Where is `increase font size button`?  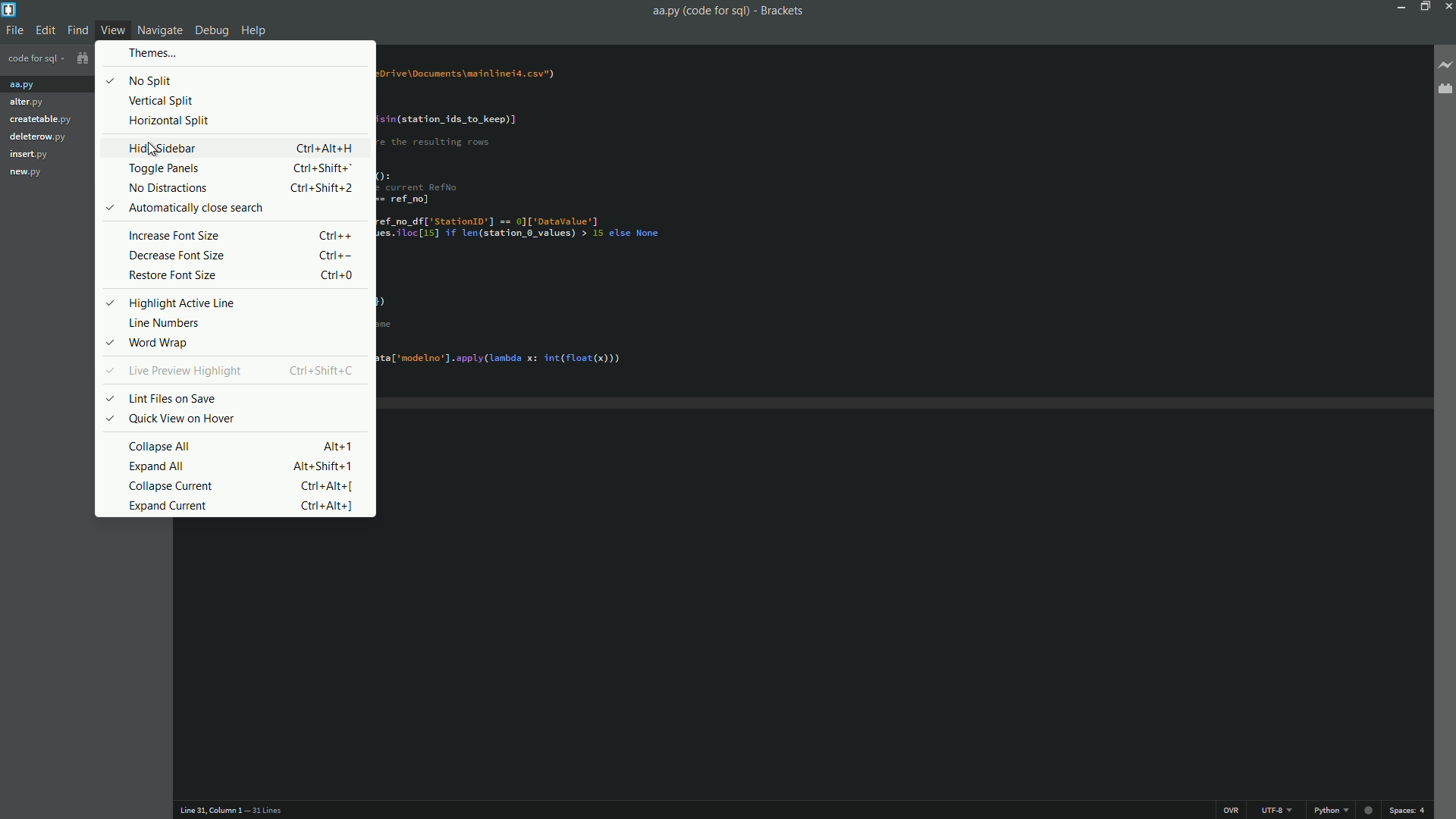 increase font size button is located at coordinates (174, 236).